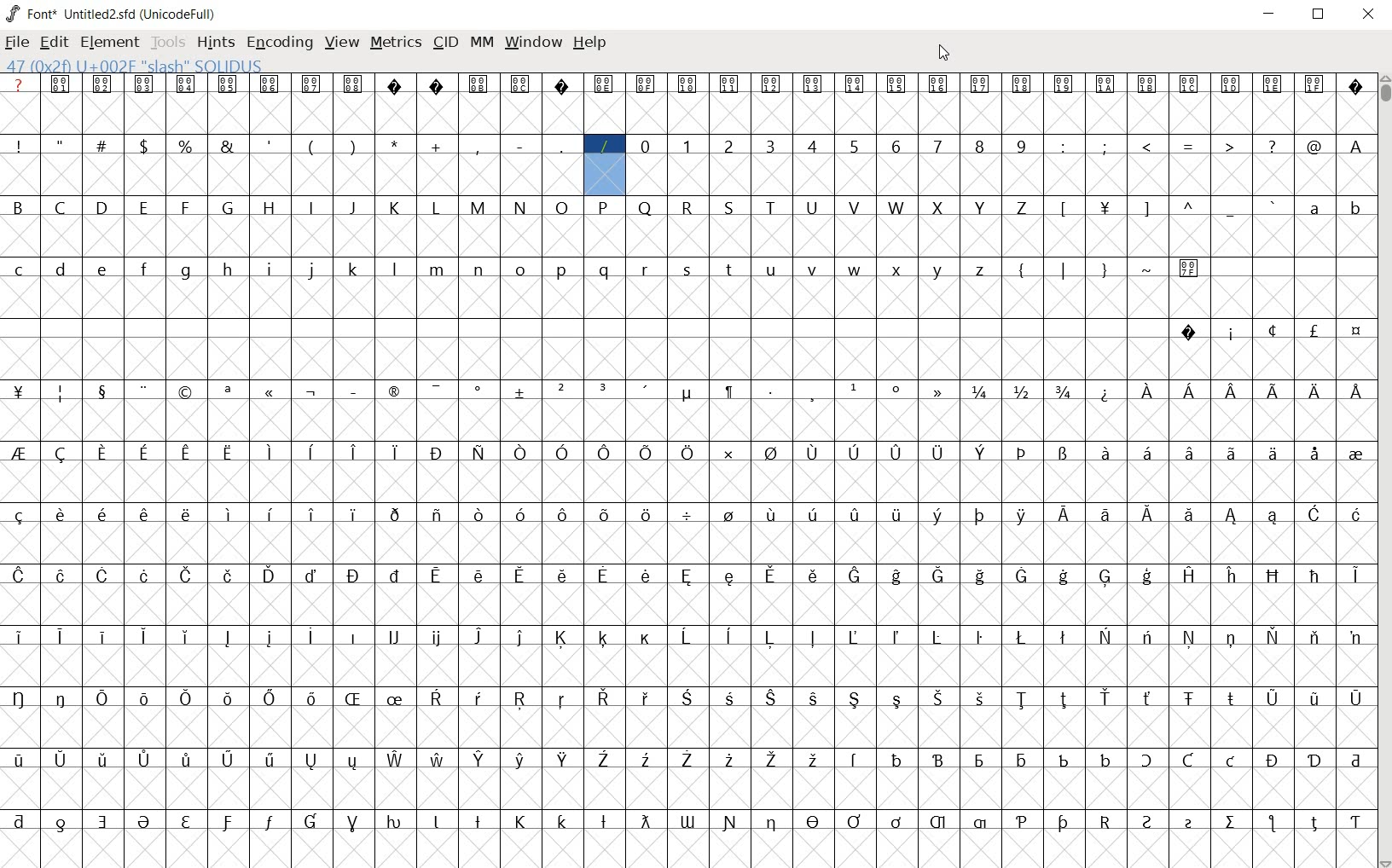 This screenshot has height=868, width=1392. What do you see at coordinates (519, 207) in the screenshot?
I see `glyph` at bounding box center [519, 207].